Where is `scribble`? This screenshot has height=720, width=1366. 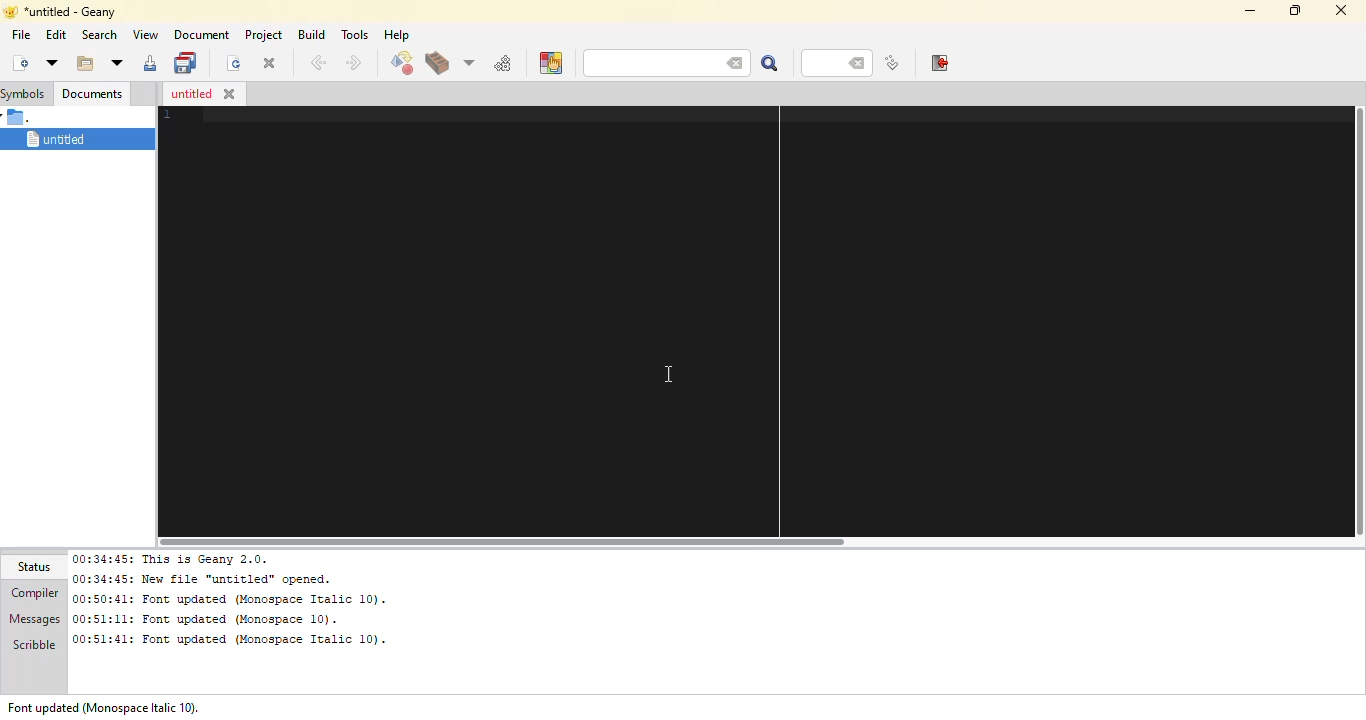 scribble is located at coordinates (31, 647).